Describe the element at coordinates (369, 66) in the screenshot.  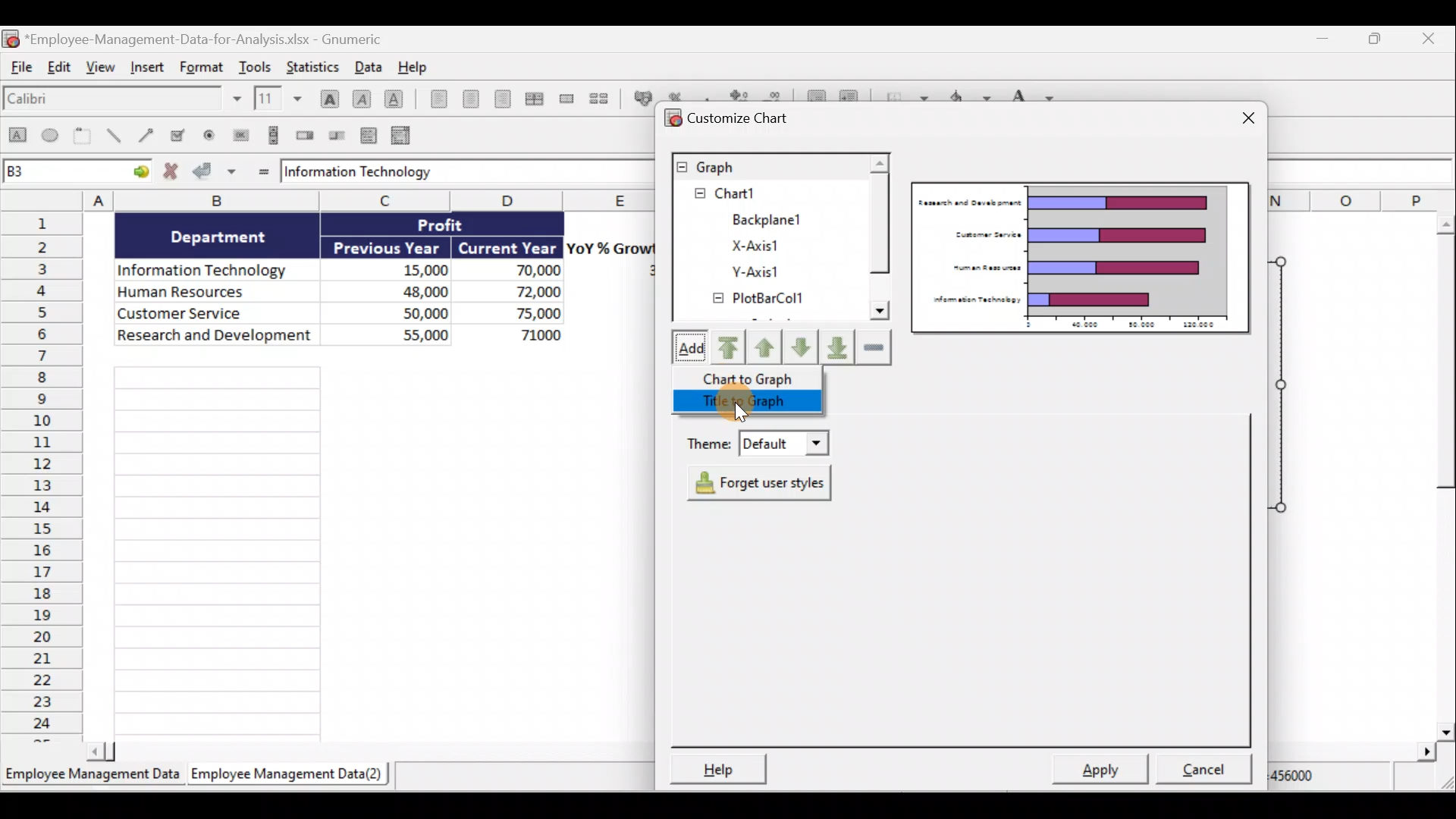
I see `Data` at that location.